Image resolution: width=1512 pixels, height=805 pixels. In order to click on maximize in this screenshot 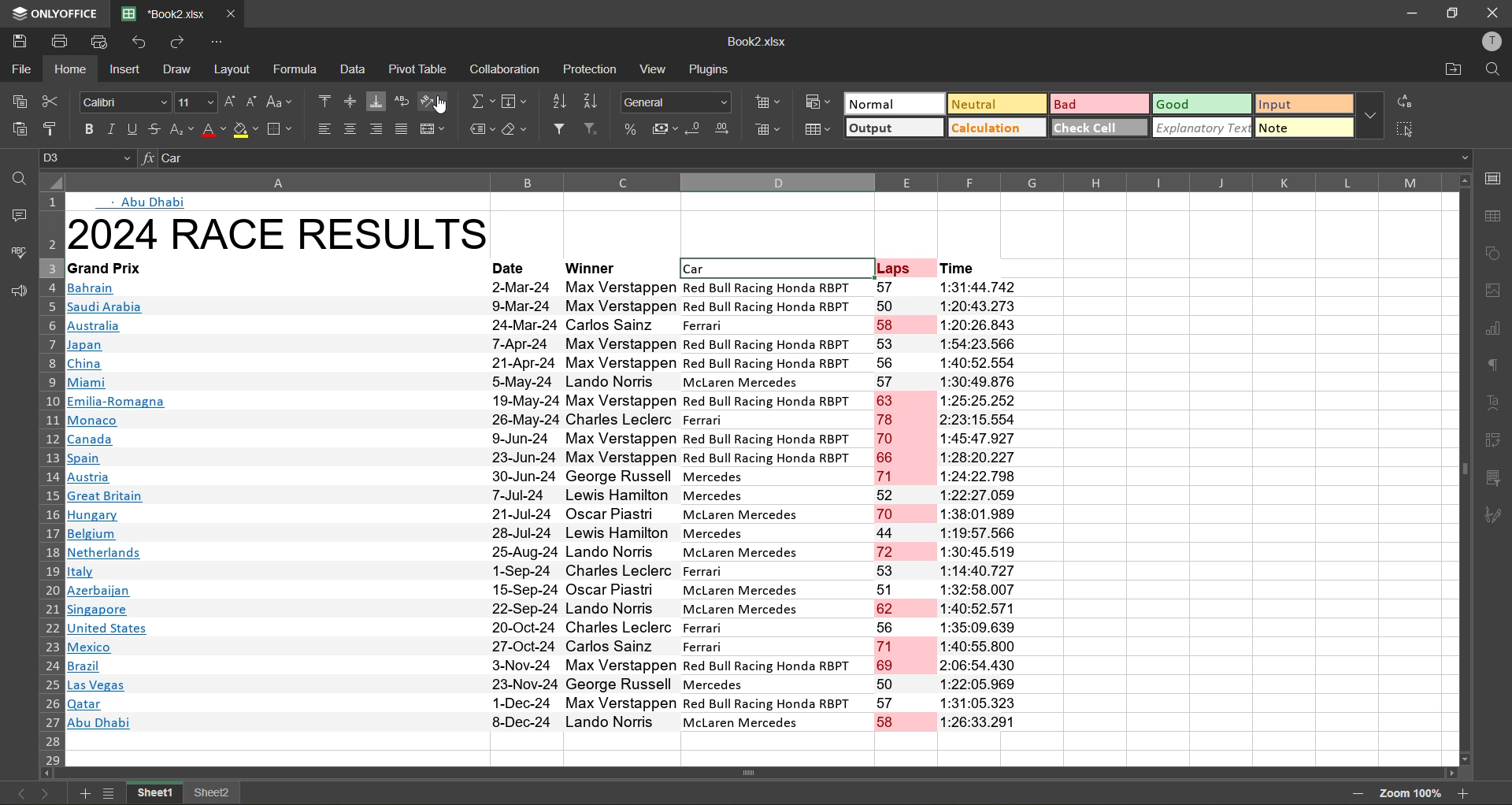, I will do `click(1460, 12)`.